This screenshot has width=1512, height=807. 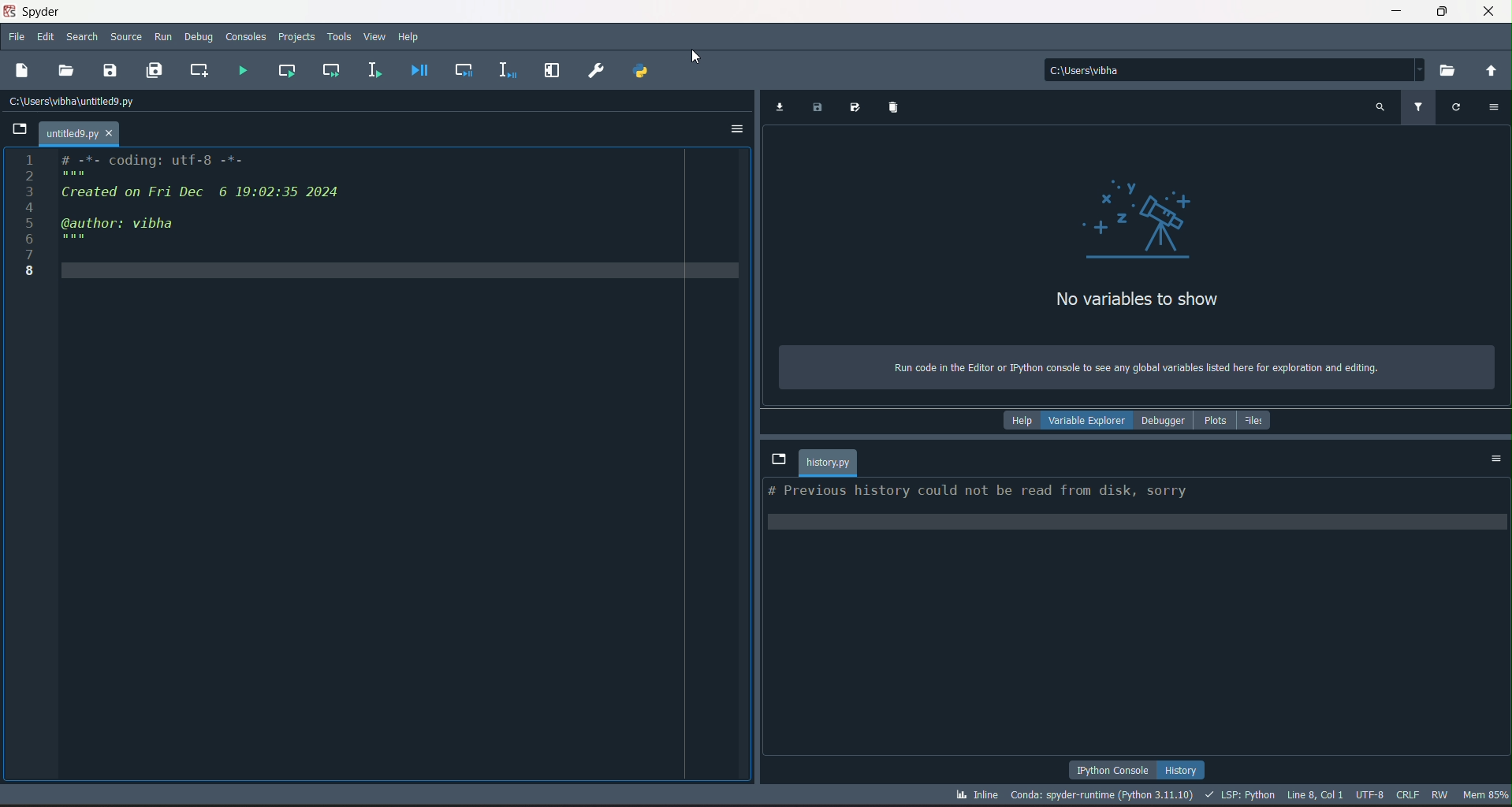 I want to click on file name, so click(x=78, y=133).